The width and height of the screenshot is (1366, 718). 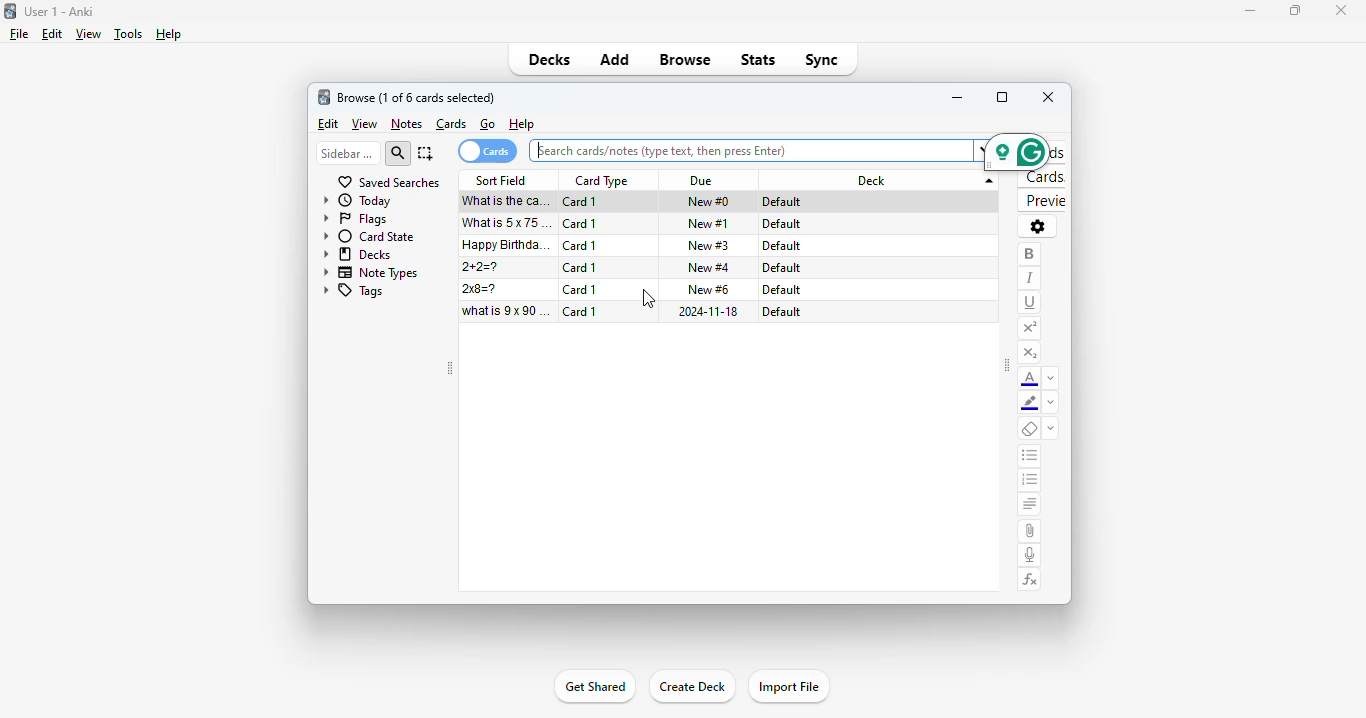 I want to click on new #3, so click(x=709, y=245).